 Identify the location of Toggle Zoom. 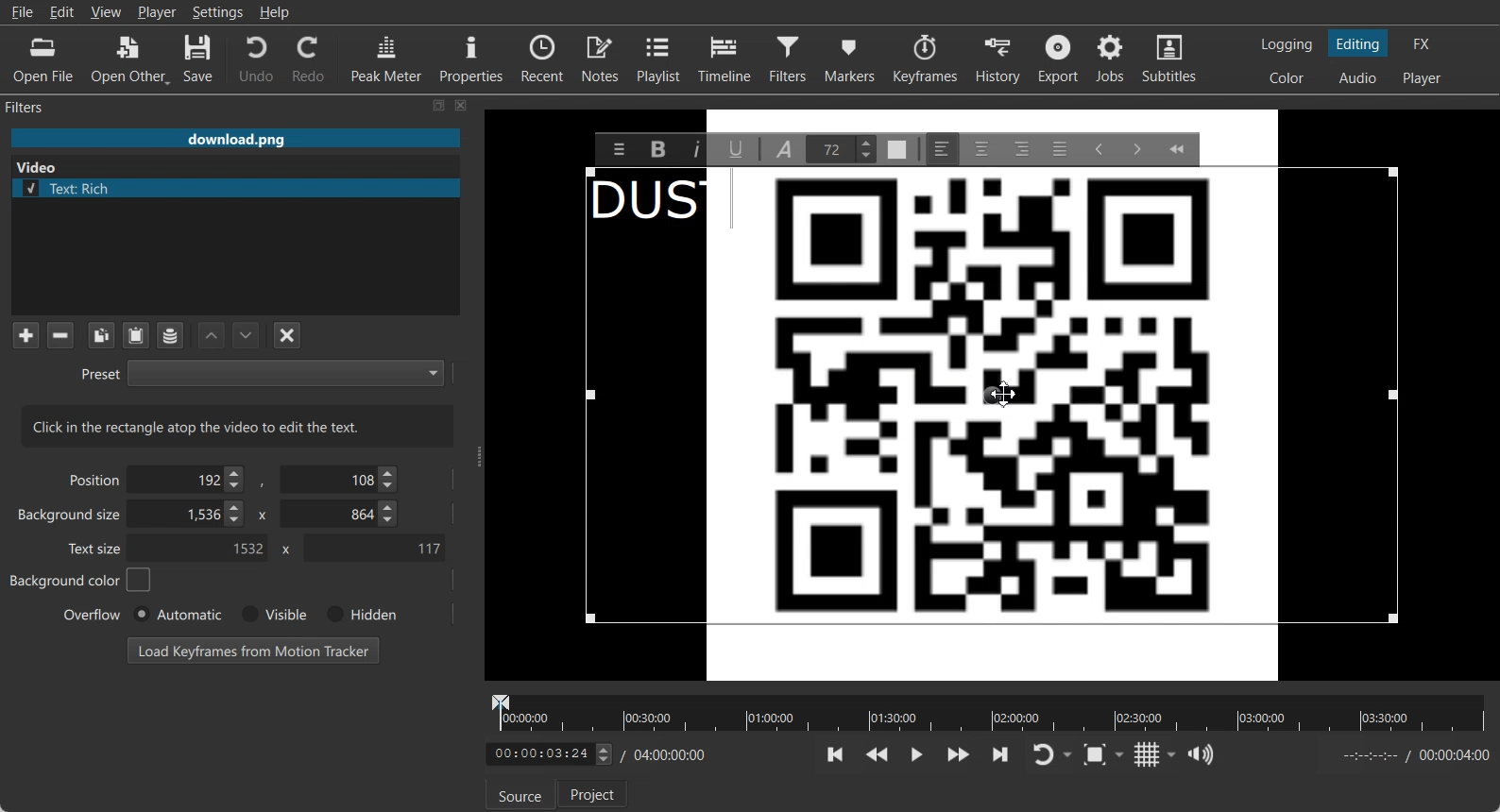
(1097, 755).